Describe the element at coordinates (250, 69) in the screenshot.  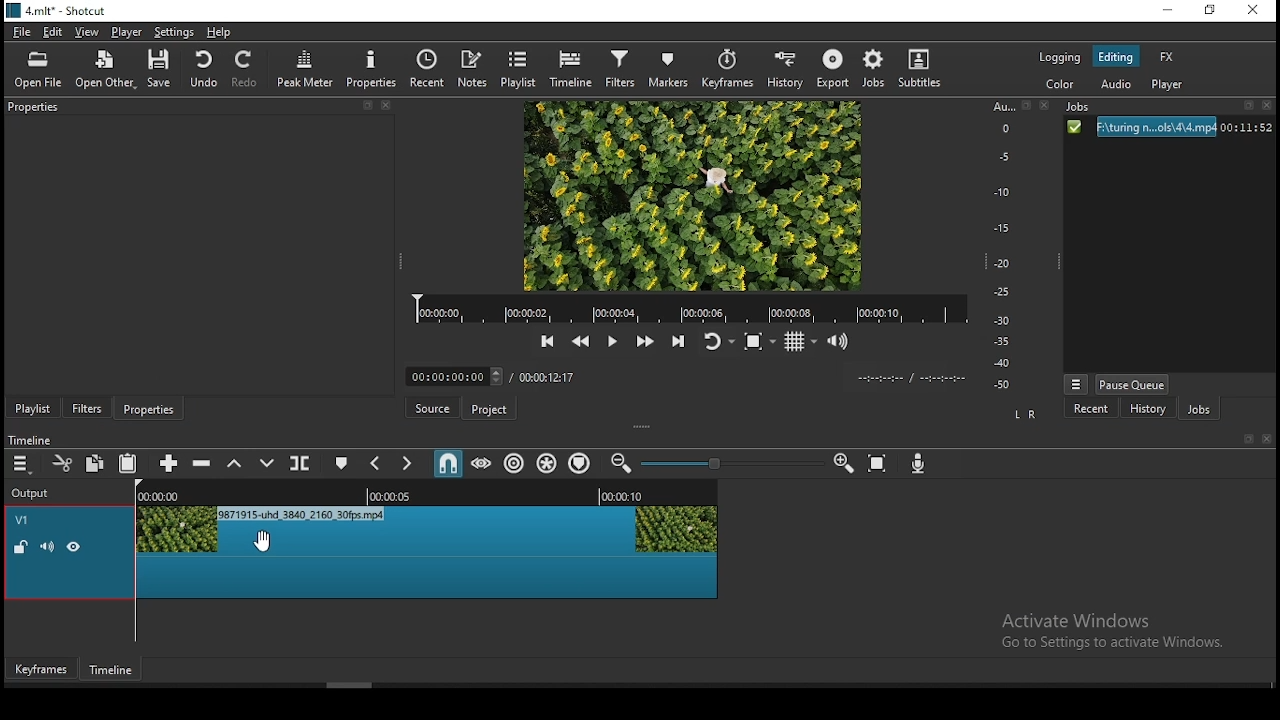
I see `redo` at that location.